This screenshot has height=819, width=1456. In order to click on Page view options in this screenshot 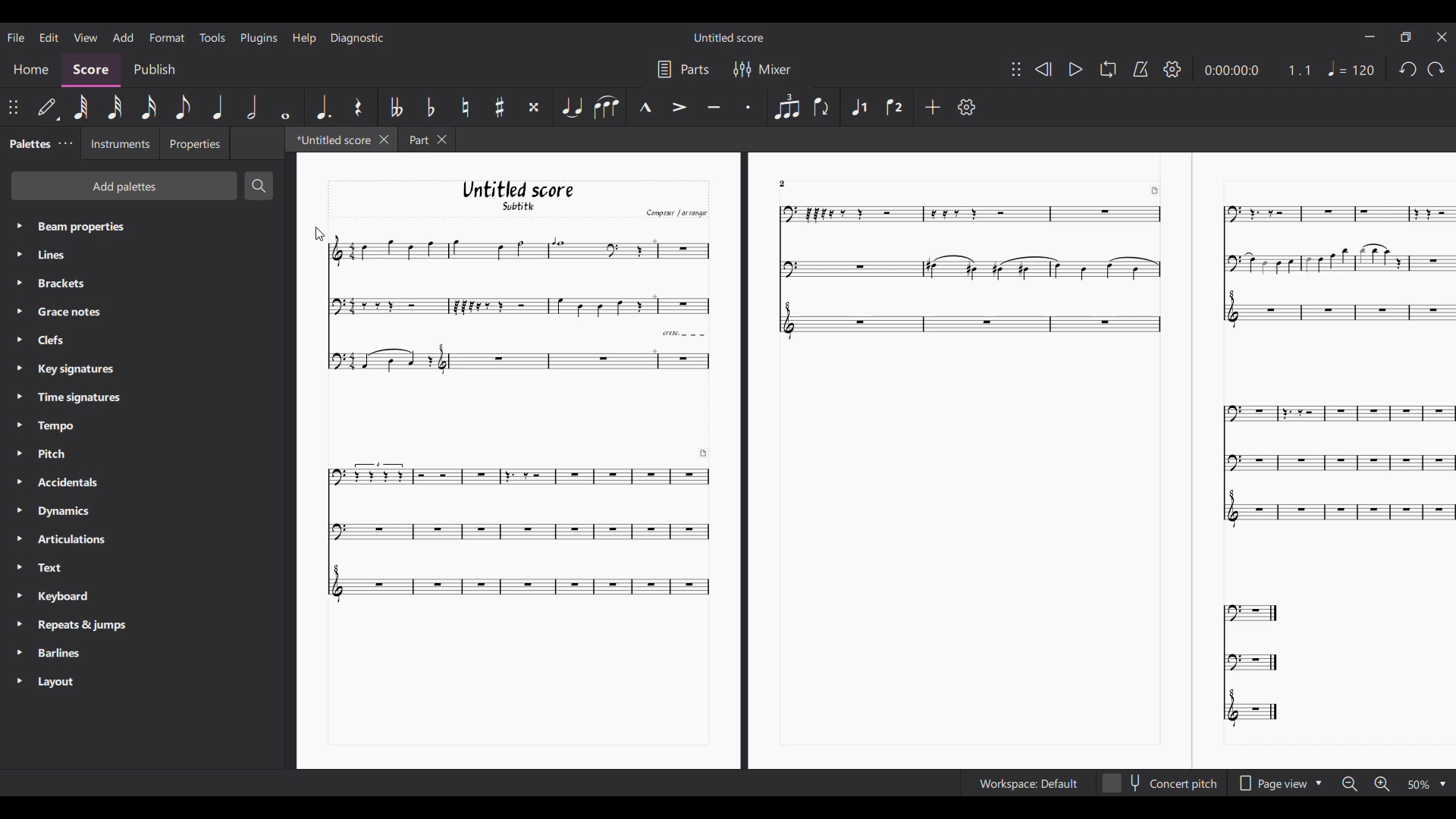, I will do `click(1269, 783)`.